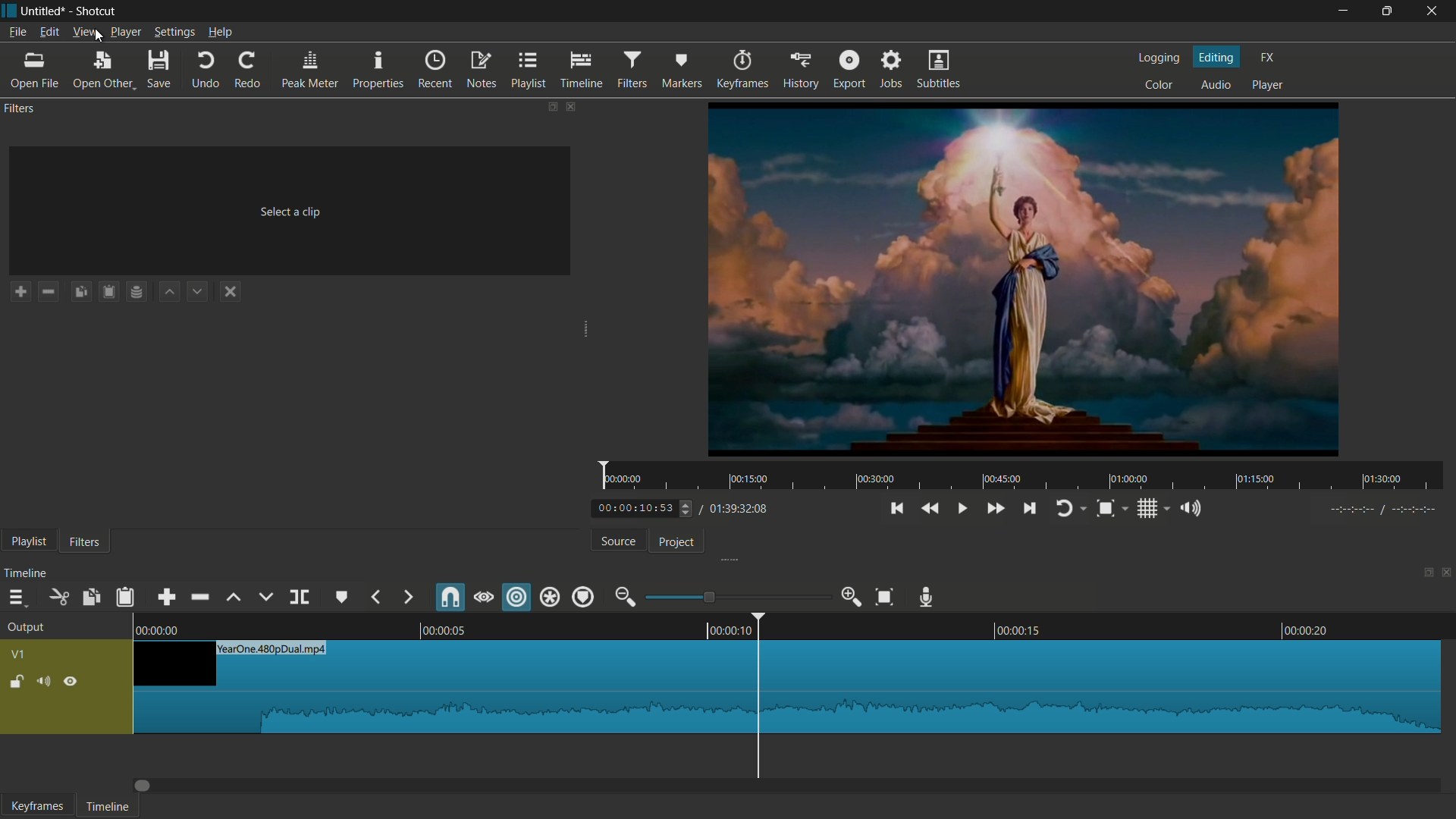 The width and height of the screenshot is (1456, 819). I want to click on keyframes, so click(37, 806).